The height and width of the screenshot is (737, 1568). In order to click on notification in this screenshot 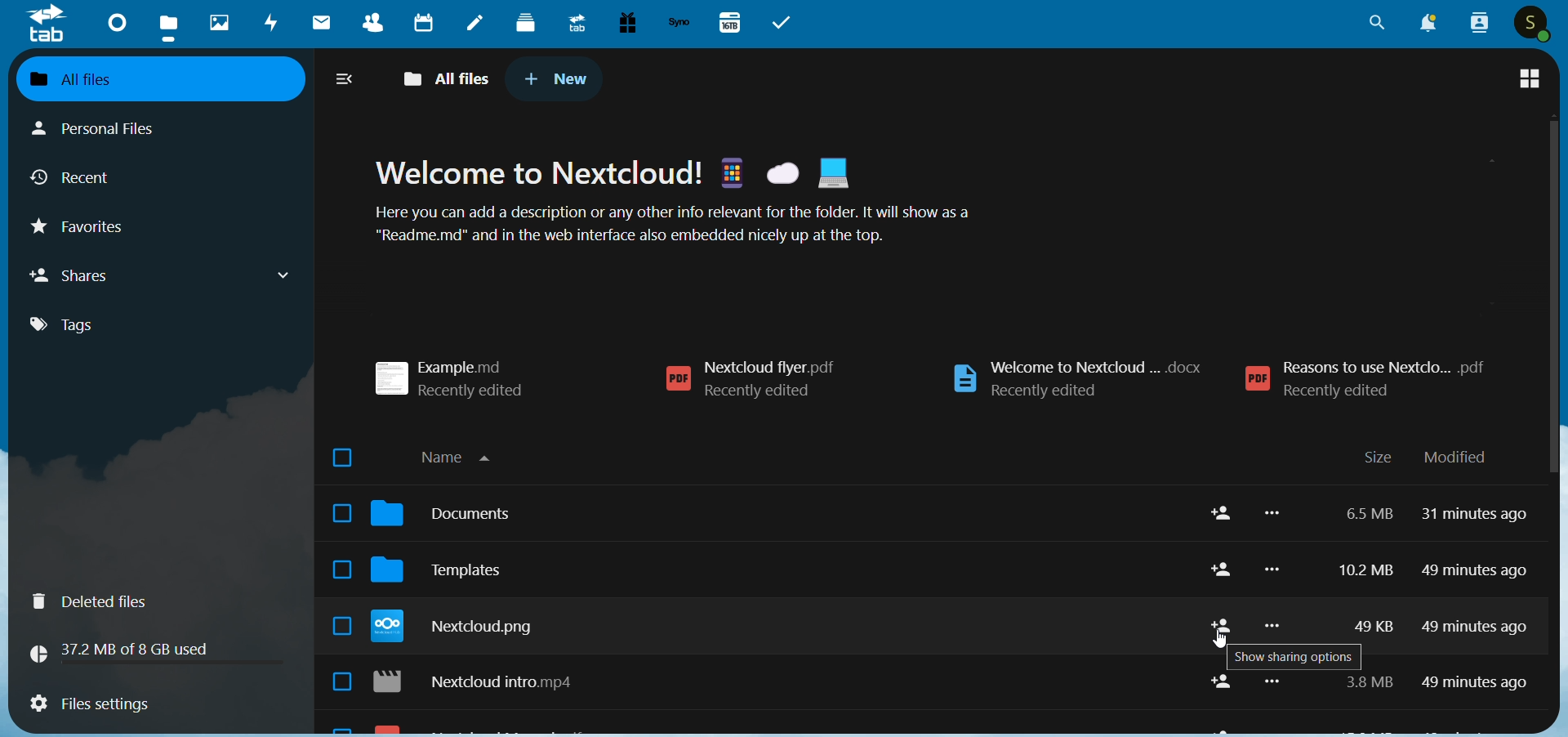, I will do `click(1429, 23)`.